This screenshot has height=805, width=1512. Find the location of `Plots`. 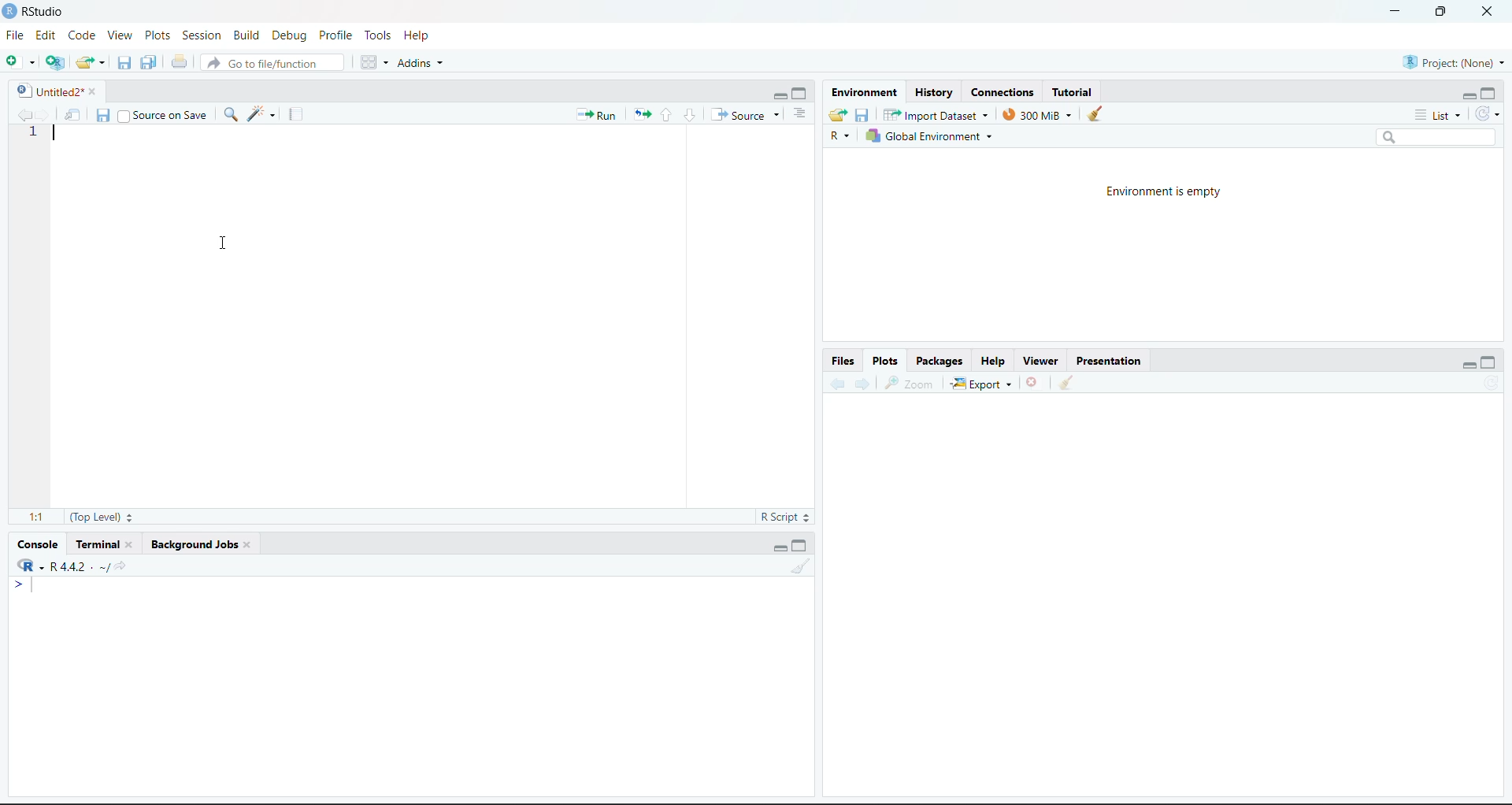

Plots is located at coordinates (887, 361).